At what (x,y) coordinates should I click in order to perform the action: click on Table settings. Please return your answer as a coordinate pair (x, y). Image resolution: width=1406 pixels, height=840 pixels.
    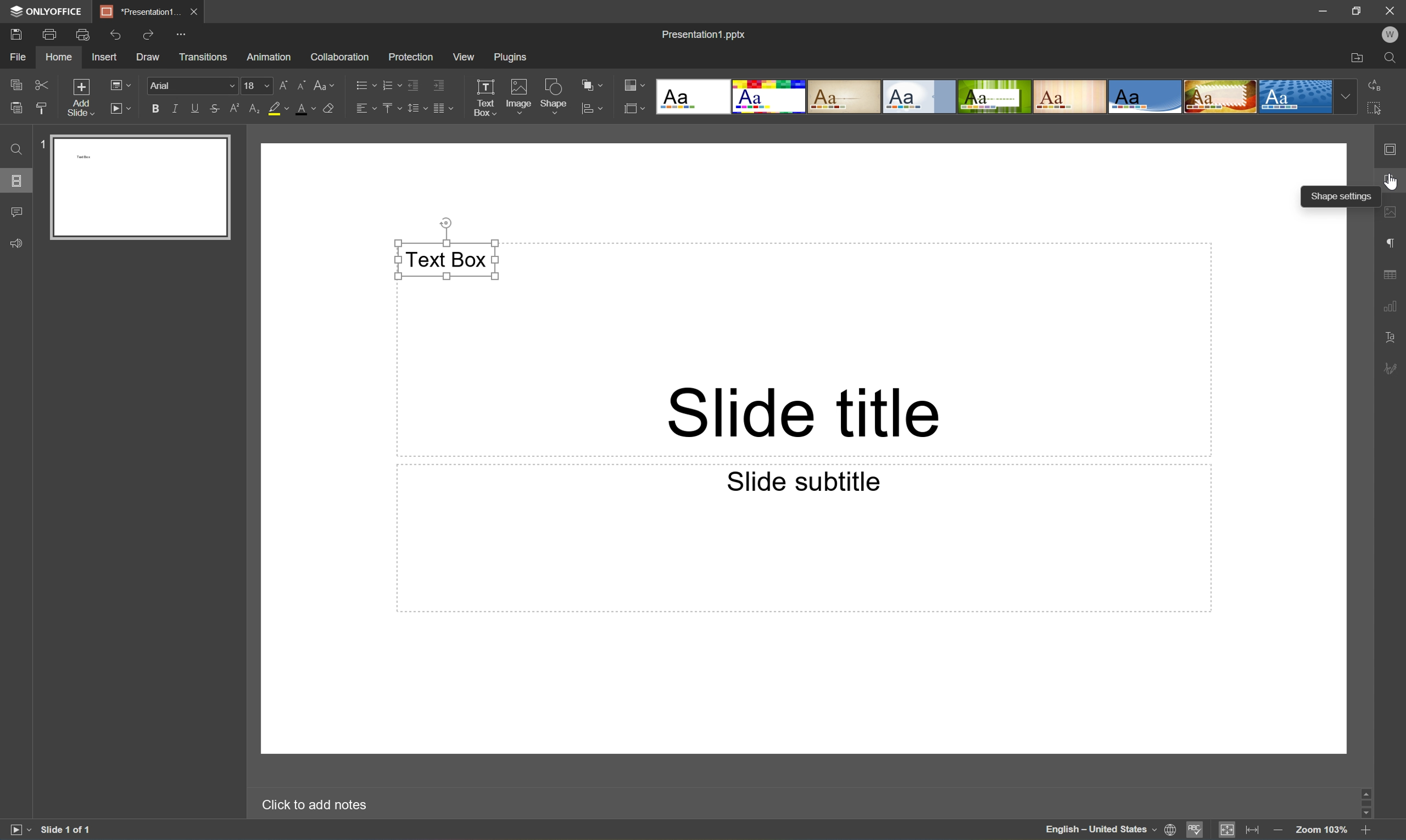
    Looking at the image, I should click on (1395, 273).